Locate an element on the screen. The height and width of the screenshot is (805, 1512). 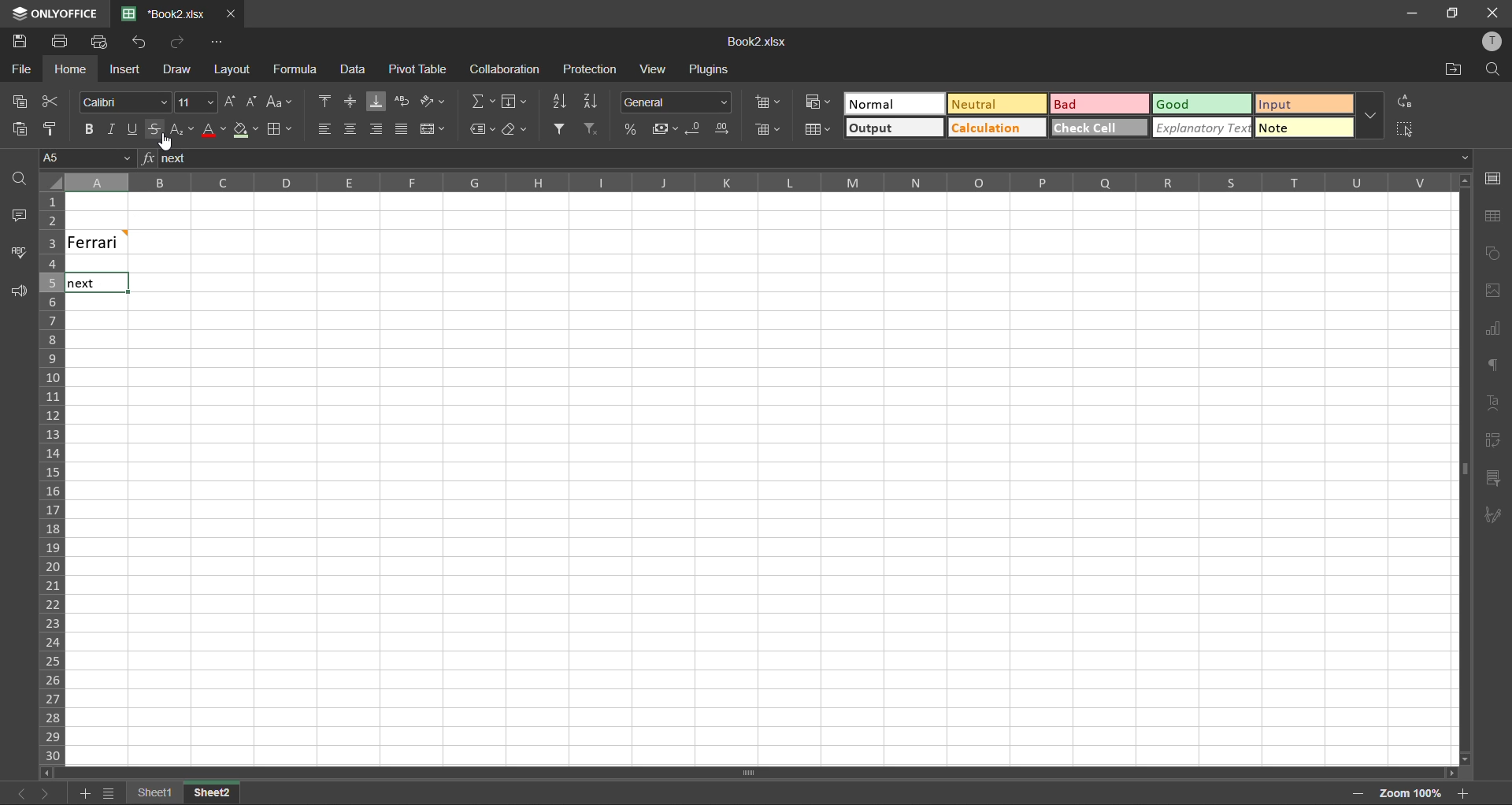
clear is located at coordinates (515, 130).